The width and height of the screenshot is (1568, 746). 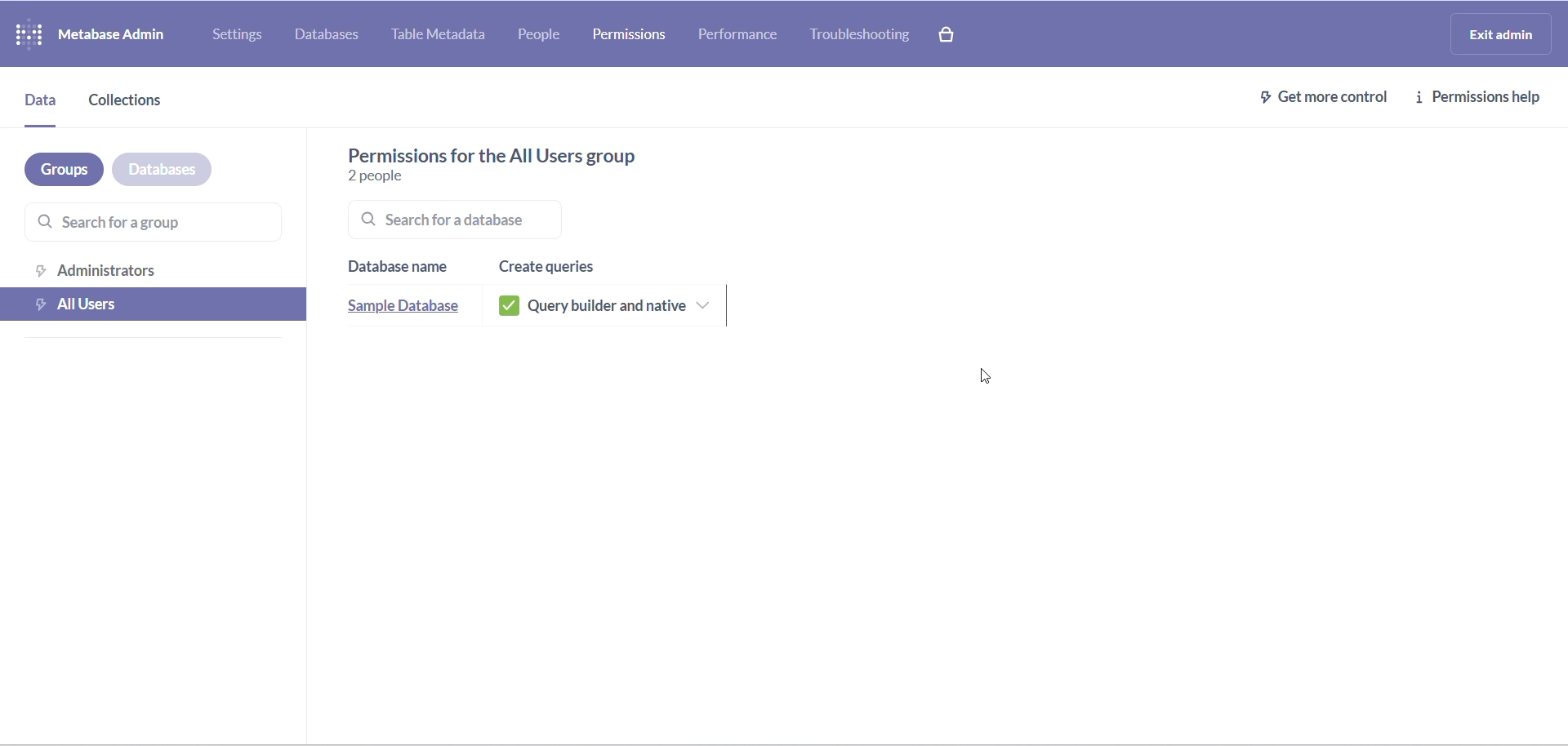 What do you see at coordinates (158, 222) in the screenshot?
I see `search for a group` at bounding box center [158, 222].